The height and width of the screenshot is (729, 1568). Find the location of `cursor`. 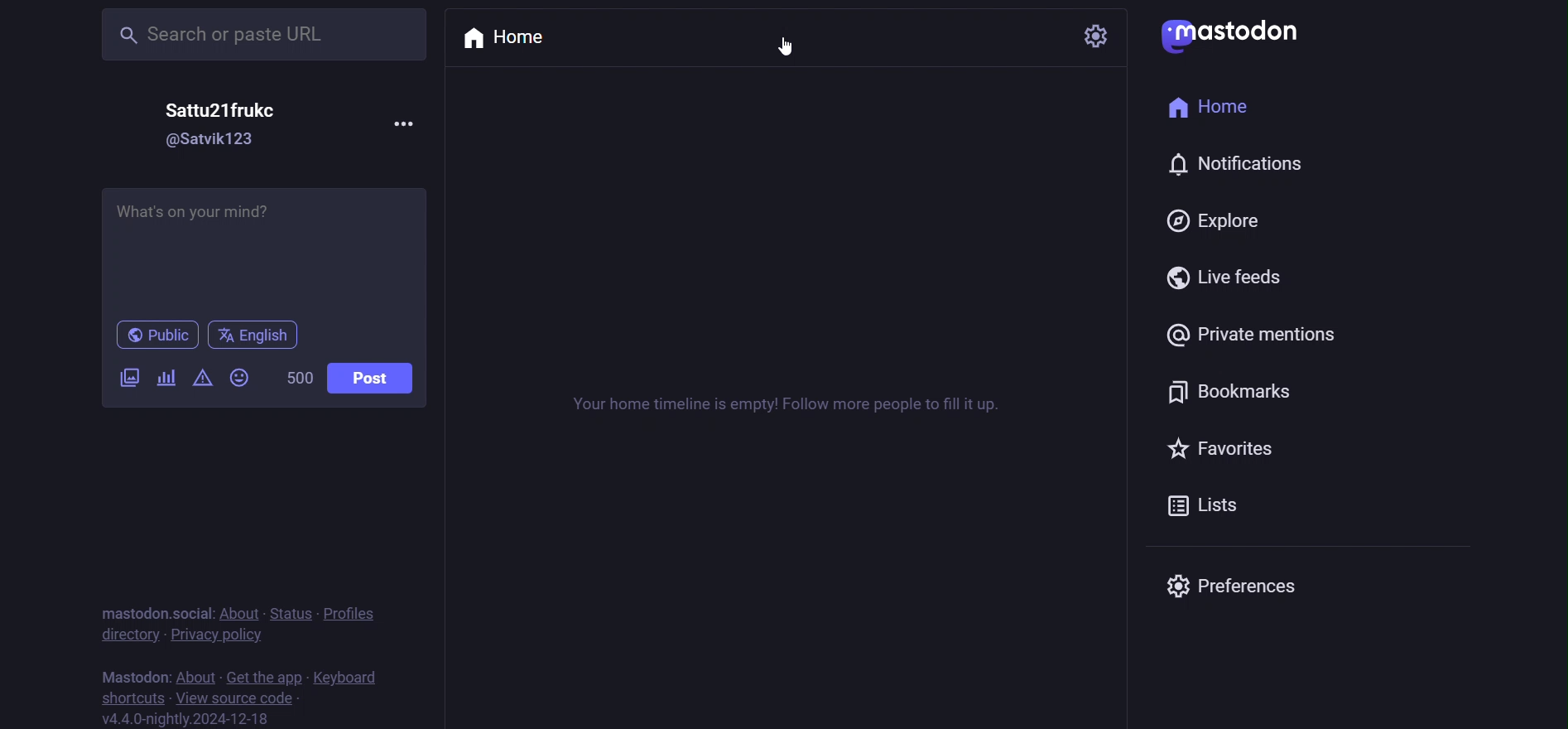

cursor is located at coordinates (790, 47).